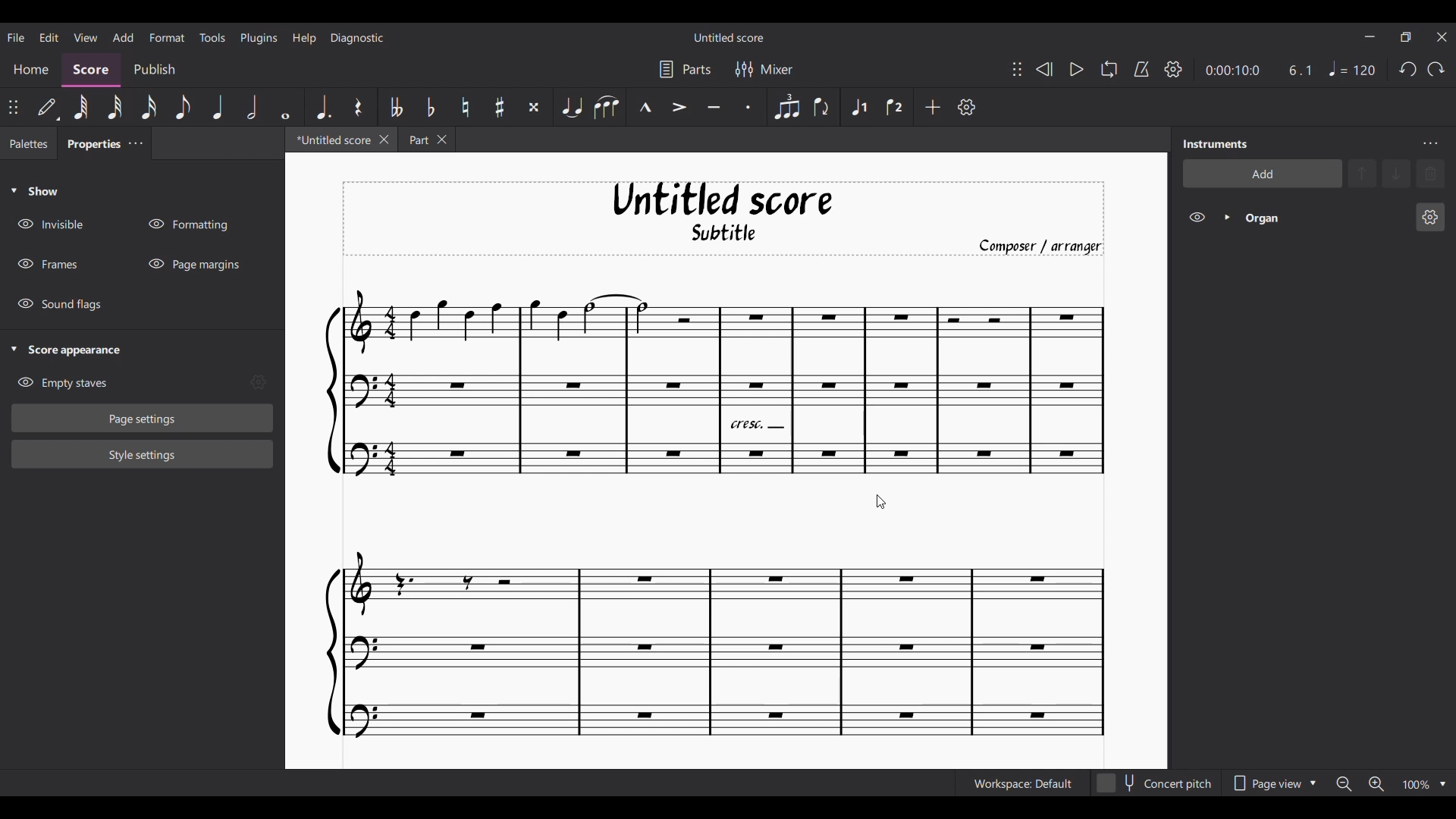 The width and height of the screenshot is (1456, 819). Describe the element at coordinates (763, 69) in the screenshot. I see `Mixer settings` at that location.